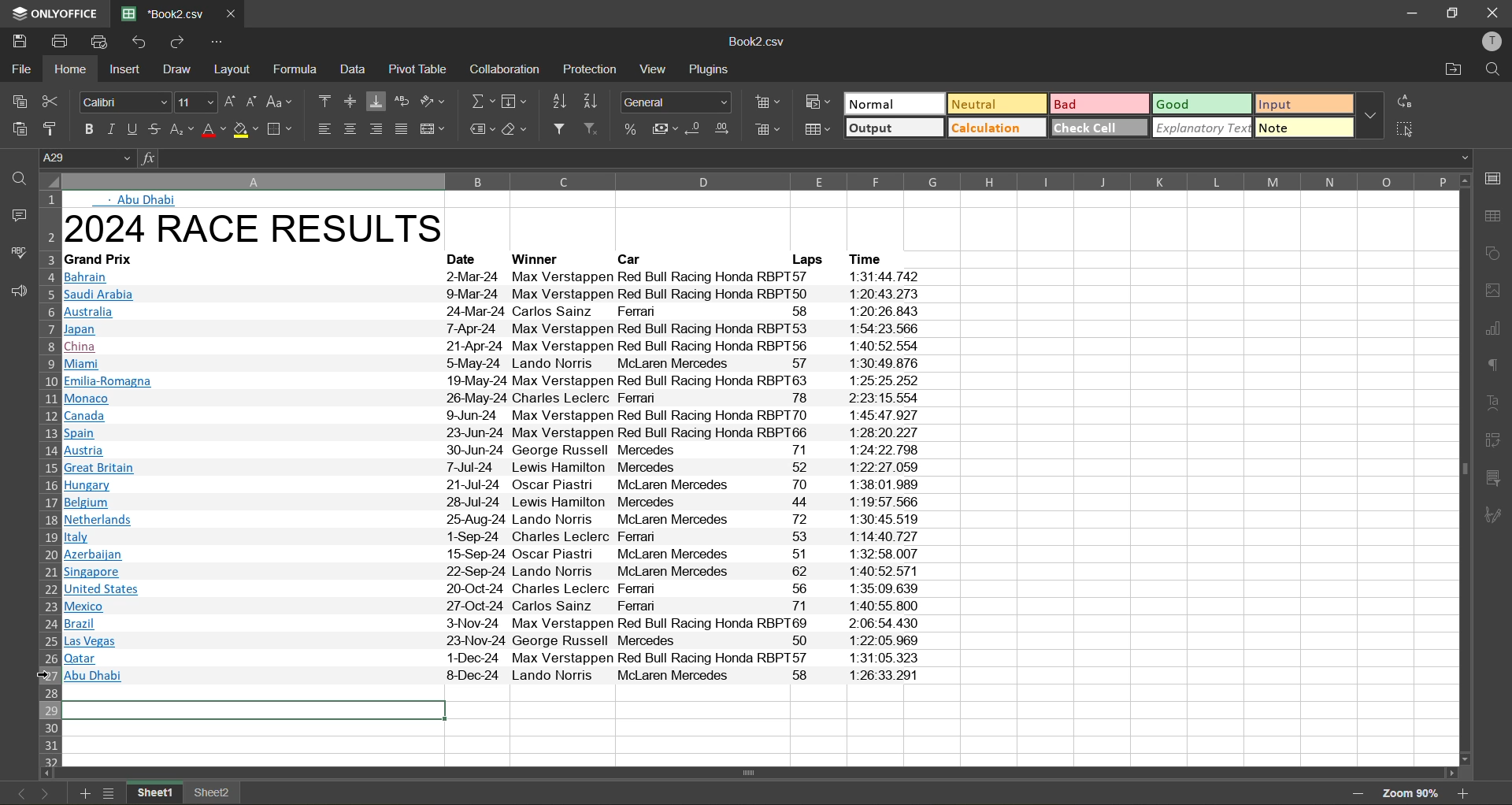 The width and height of the screenshot is (1512, 805). I want to click on text info, so click(633, 260).